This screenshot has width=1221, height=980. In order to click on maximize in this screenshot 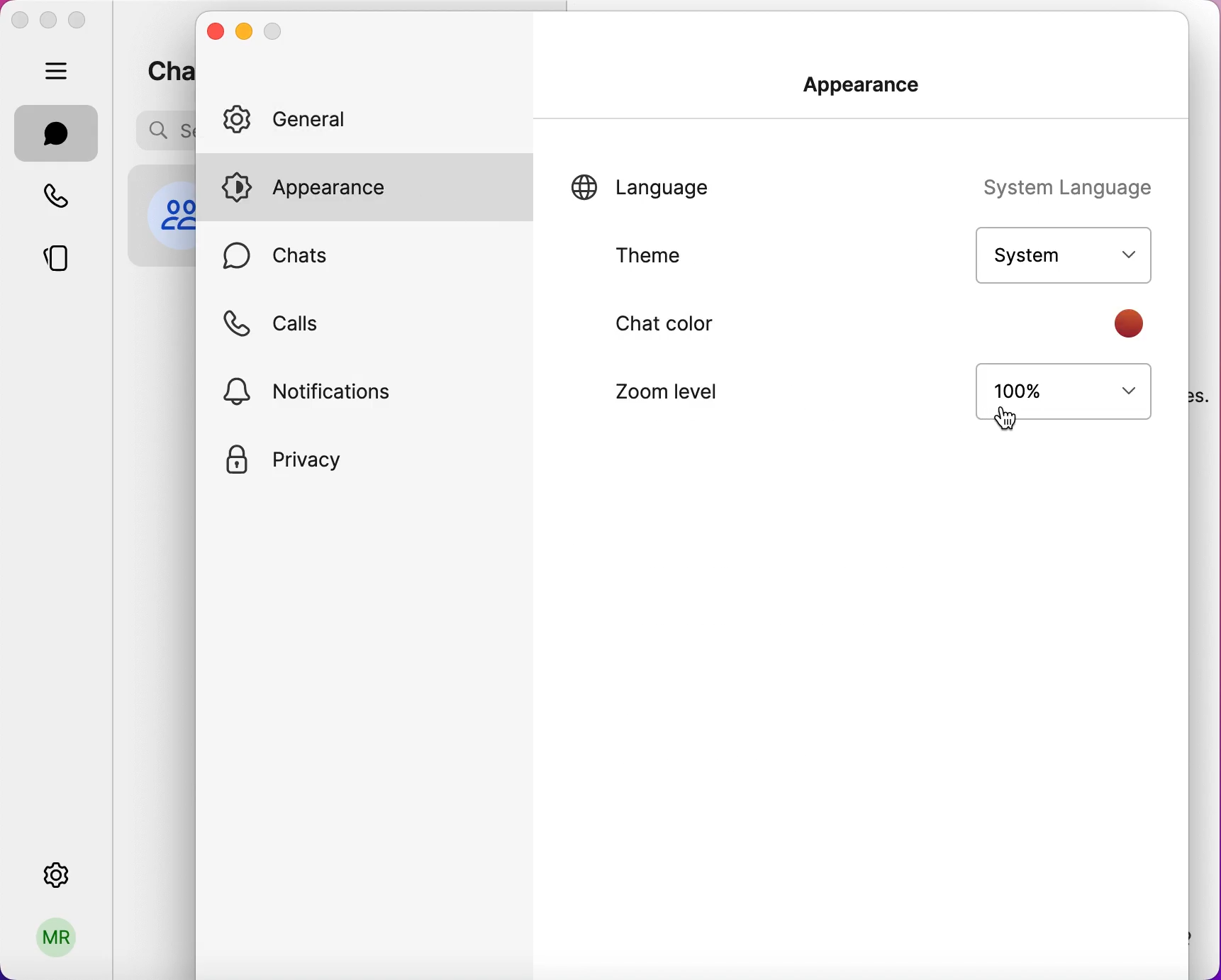, I will do `click(84, 21)`.